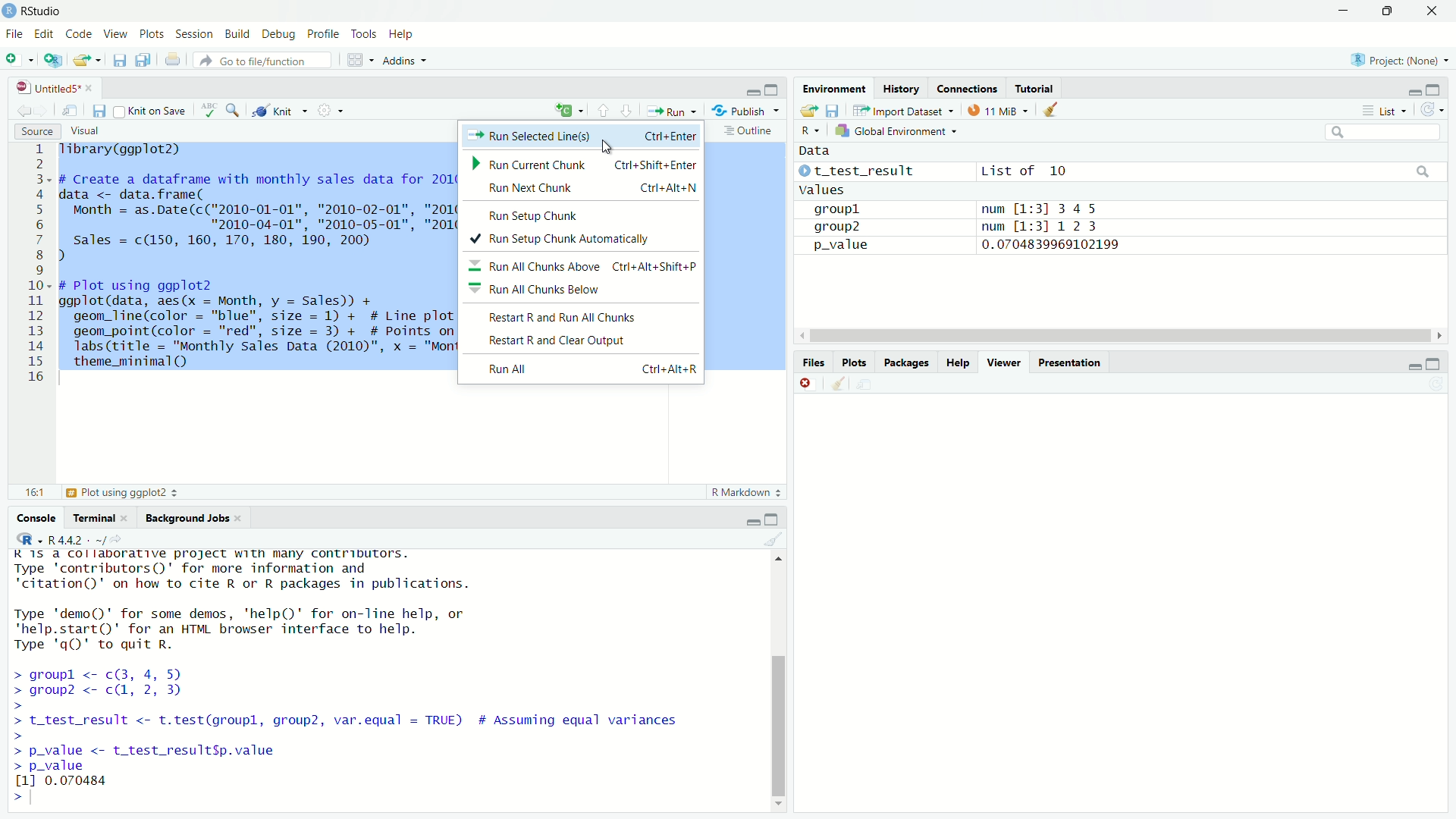 Image resolution: width=1456 pixels, height=819 pixels. Describe the element at coordinates (585, 165) in the screenshot. I see `> Run Current Chunk ~~ Ctrl+Shift+Enter |` at that location.